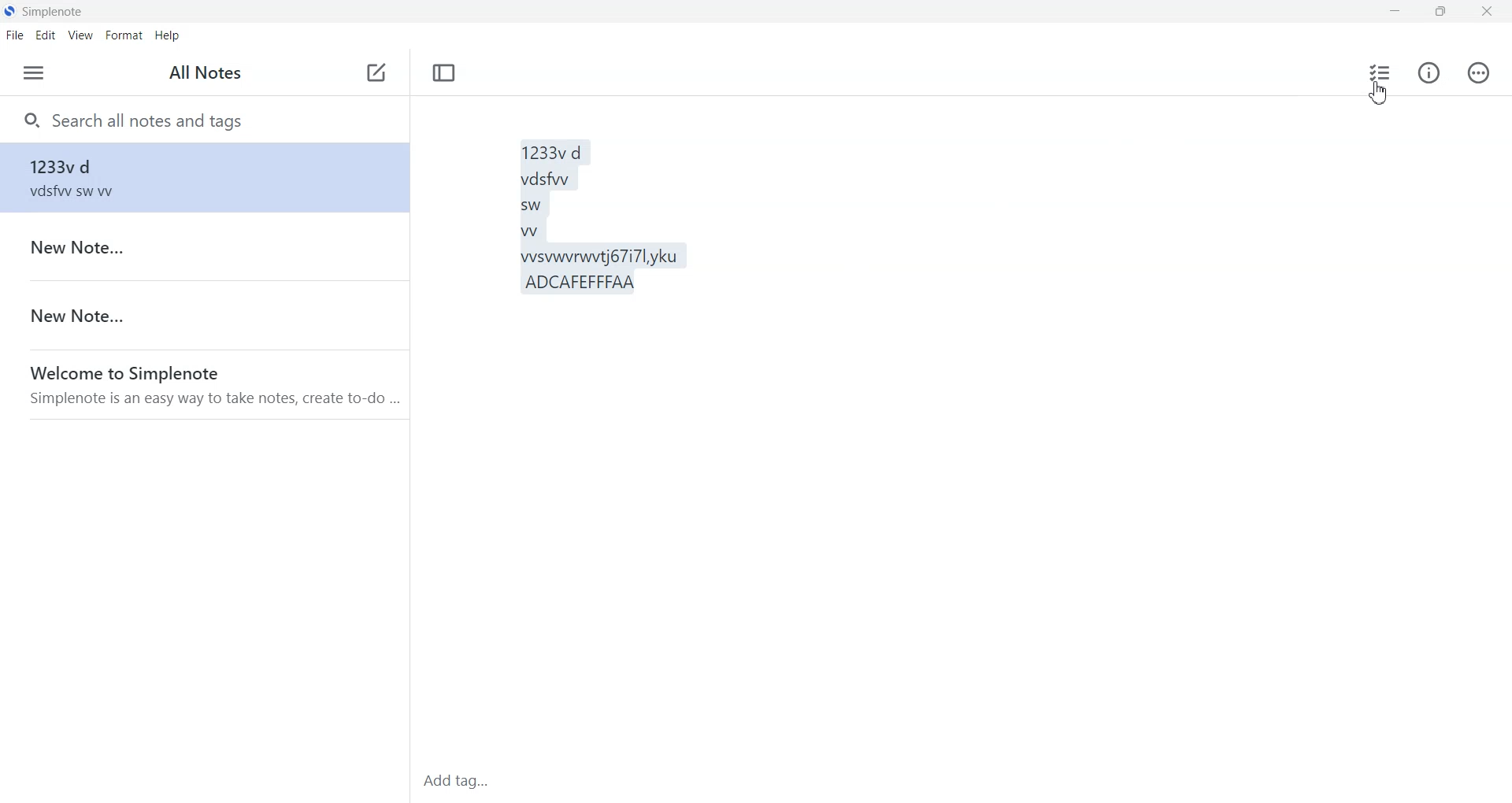  What do you see at coordinates (1439, 12) in the screenshot?
I see `Maximize` at bounding box center [1439, 12].